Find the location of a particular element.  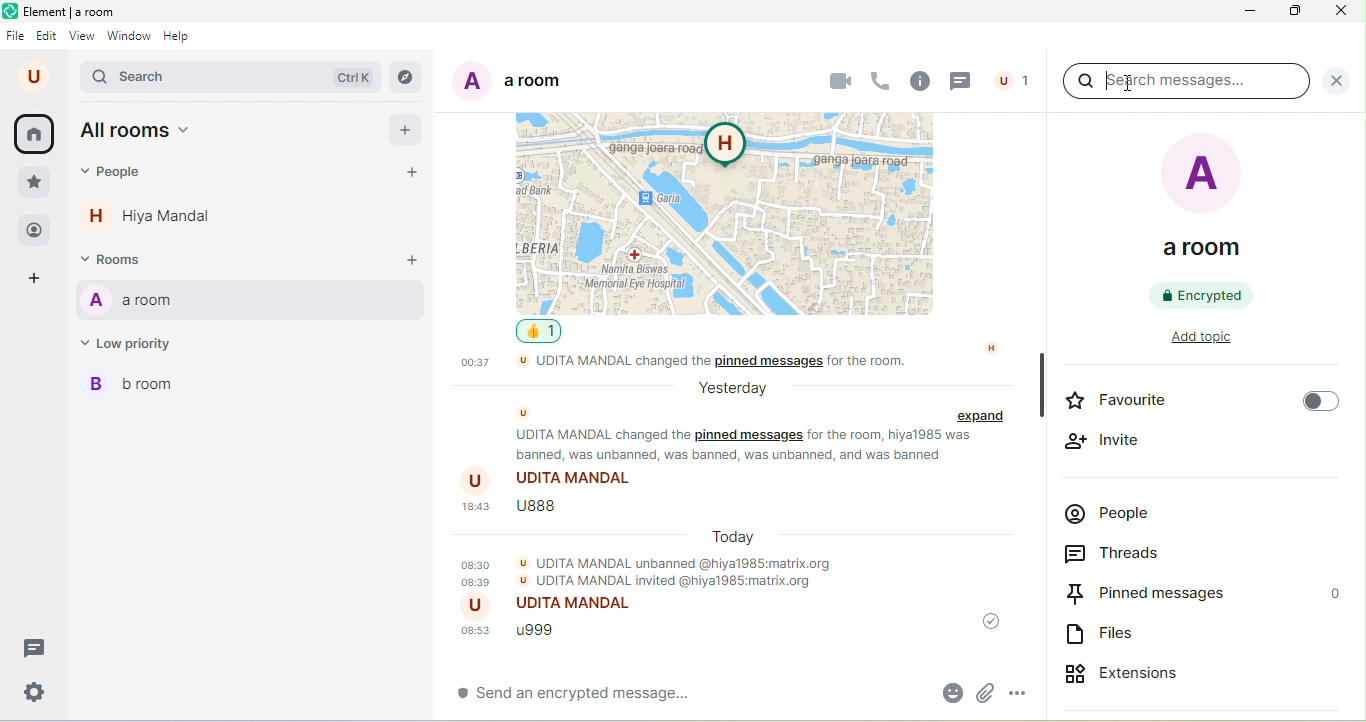

explore room is located at coordinates (407, 77).